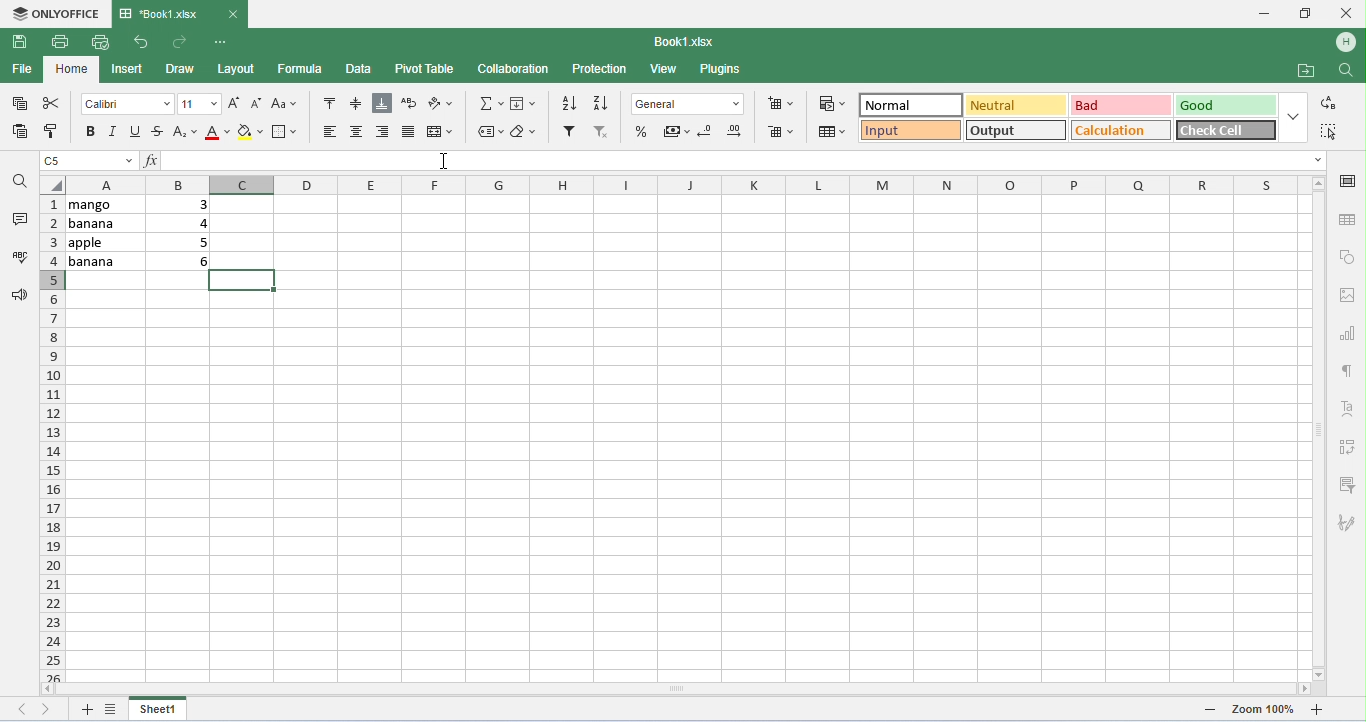 Image resolution: width=1366 pixels, height=722 pixels. What do you see at coordinates (1345, 69) in the screenshot?
I see `find` at bounding box center [1345, 69].